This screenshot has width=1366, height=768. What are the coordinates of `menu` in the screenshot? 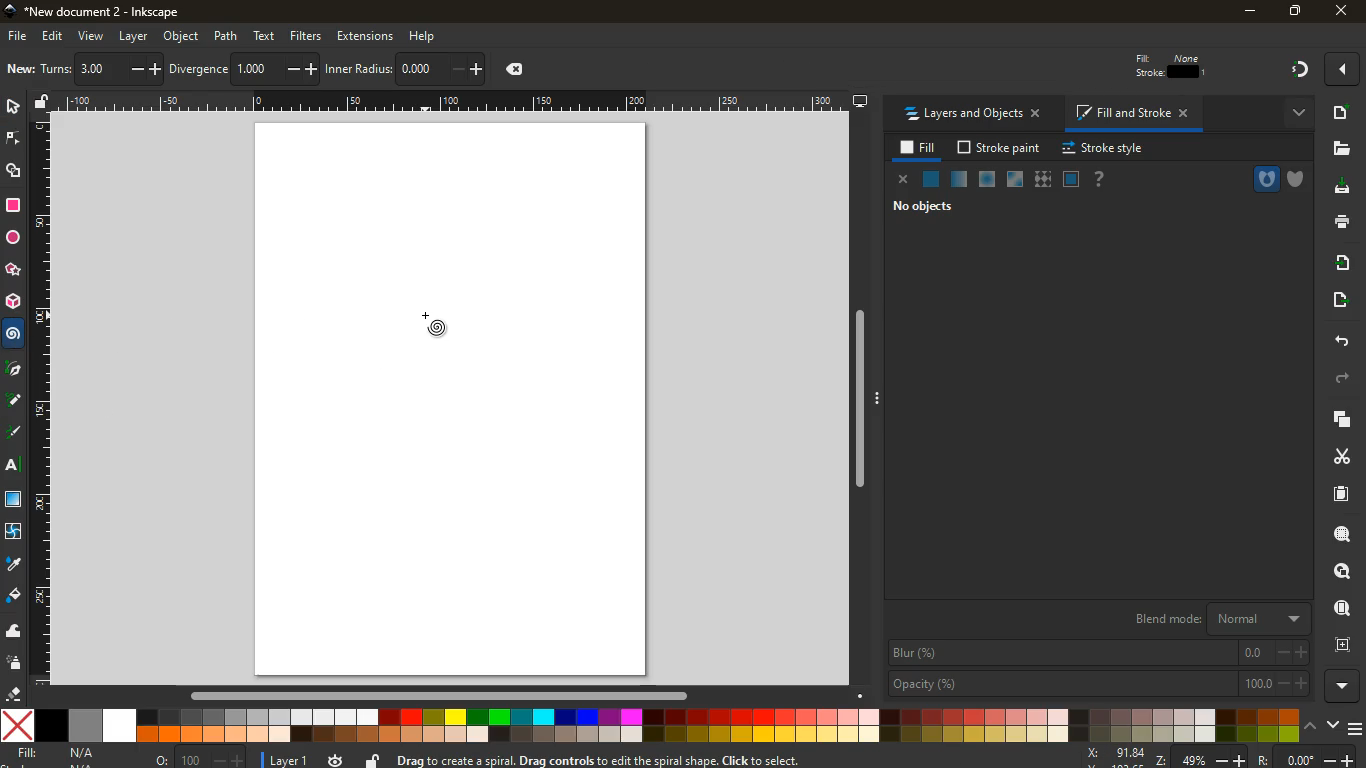 It's located at (1357, 729).